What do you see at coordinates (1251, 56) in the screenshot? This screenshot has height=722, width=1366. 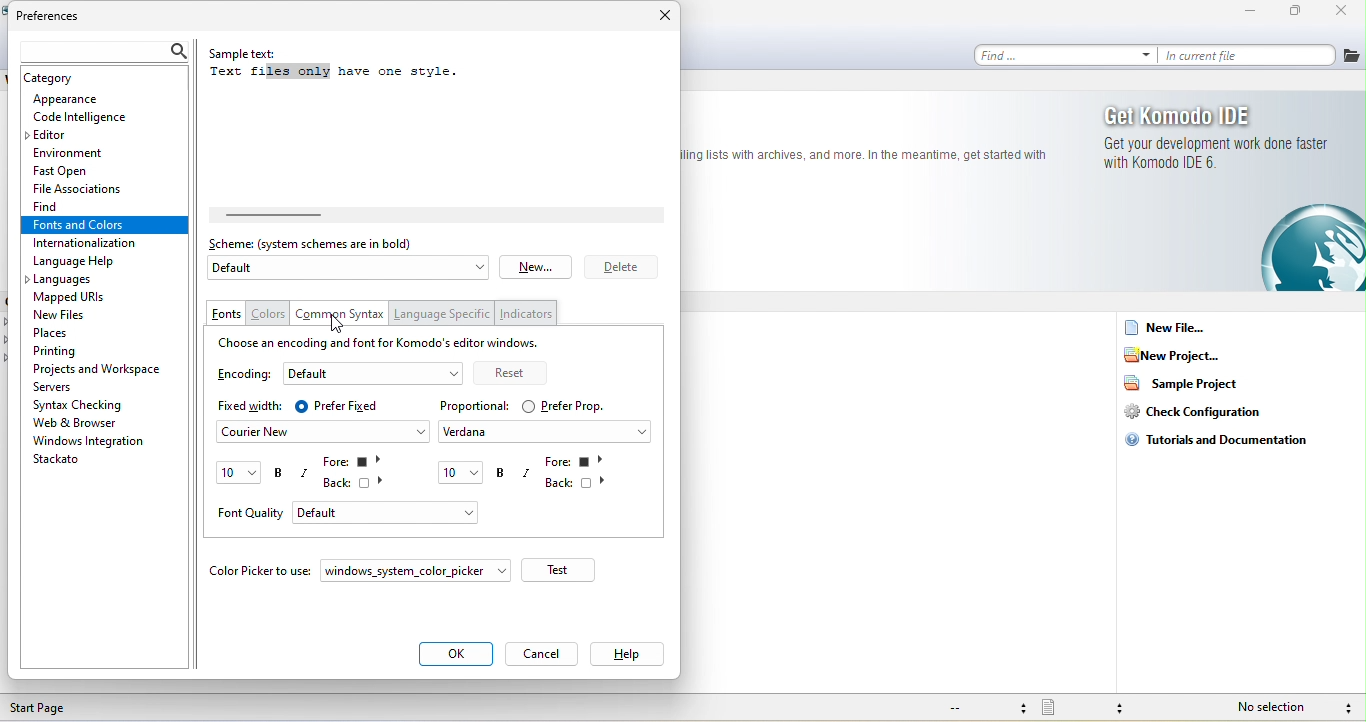 I see `in current file` at bounding box center [1251, 56].